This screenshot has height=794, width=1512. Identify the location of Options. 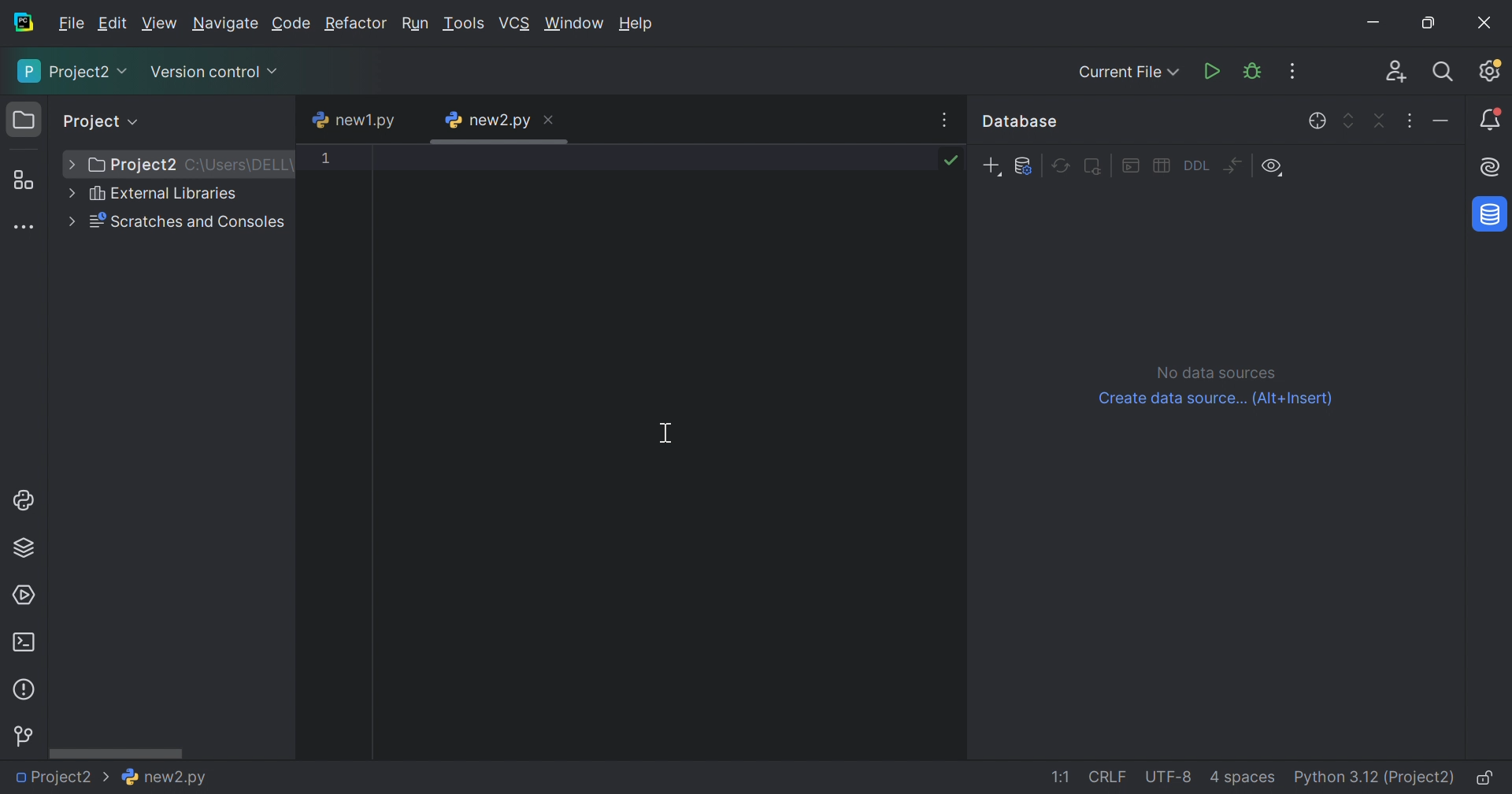
(1409, 123).